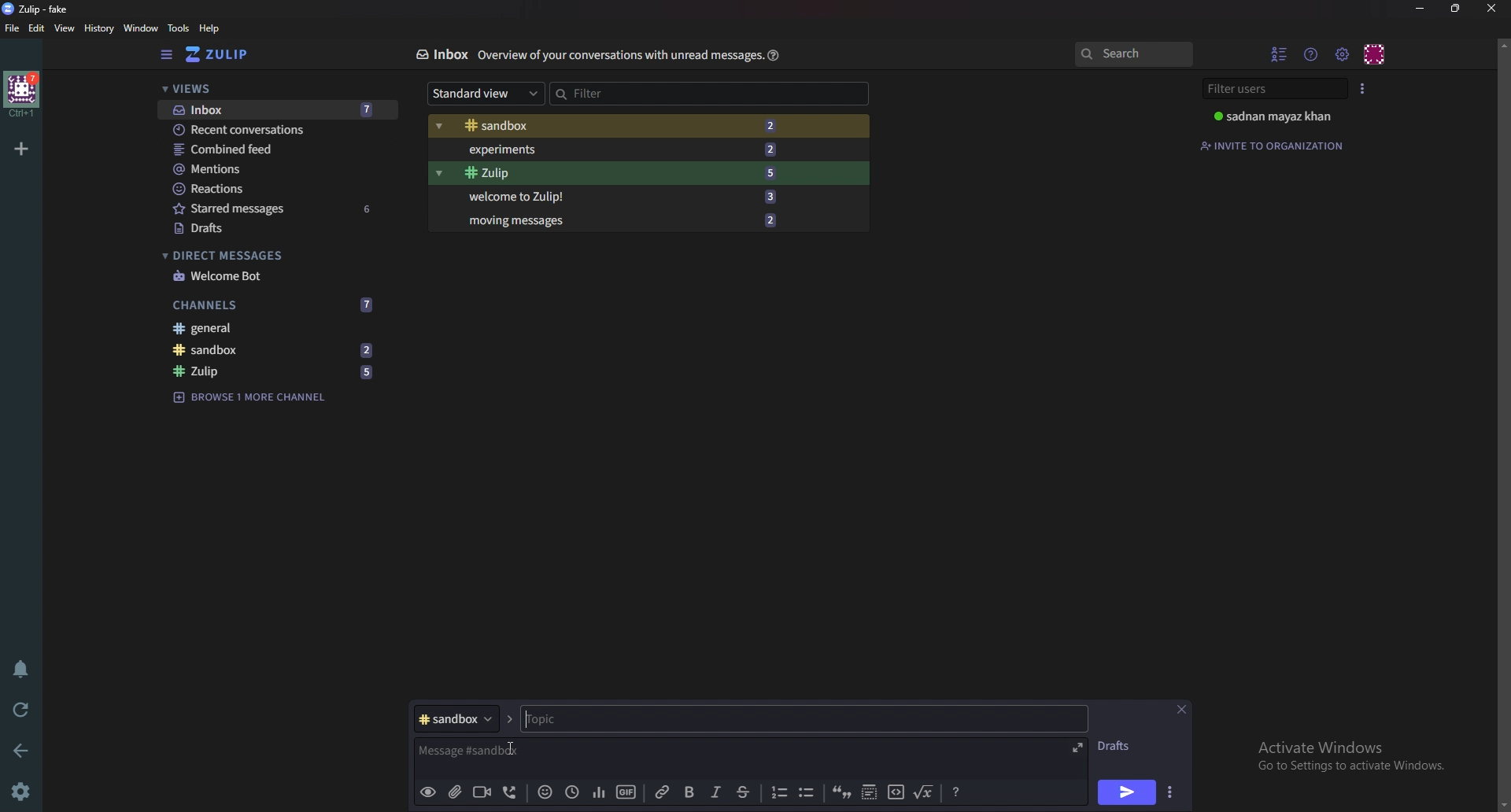 This screenshot has height=812, width=1511. I want to click on Spoiler, so click(870, 791).